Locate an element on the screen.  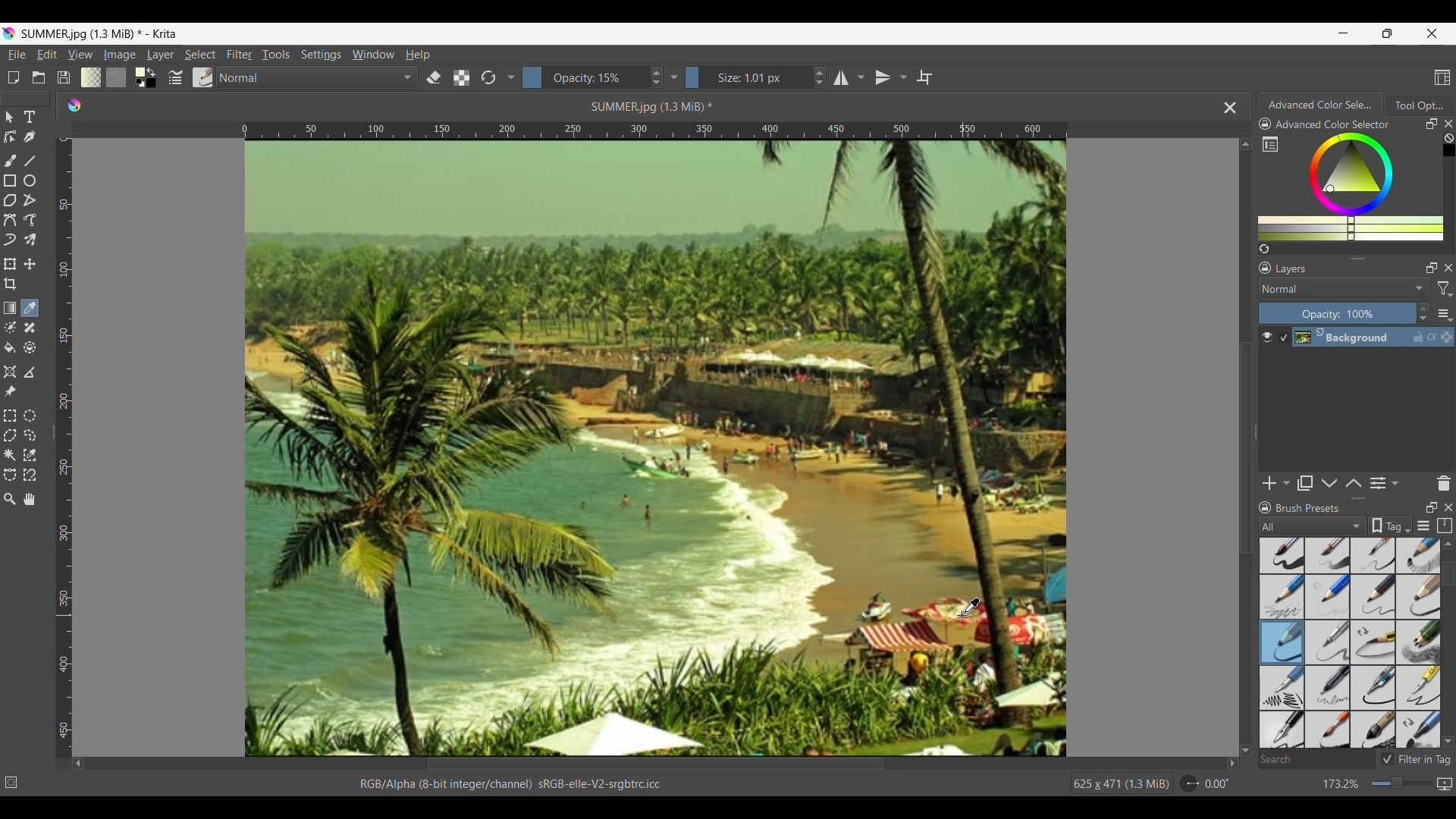
Ellipse tool is located at coordinates (29, 180).